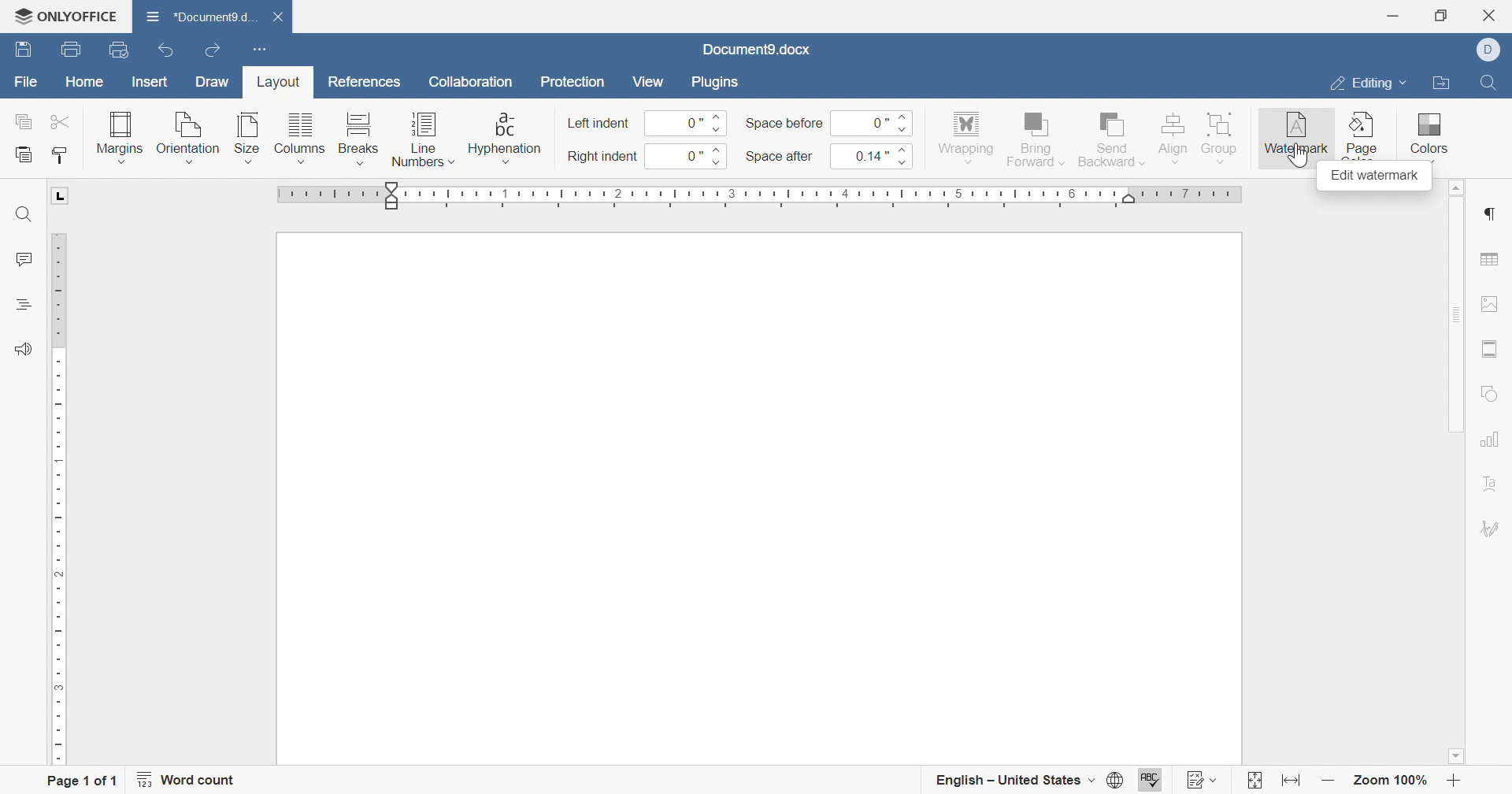  Describe the element at coordinates (366, 80) in the screenshot. I see `references` at that location.